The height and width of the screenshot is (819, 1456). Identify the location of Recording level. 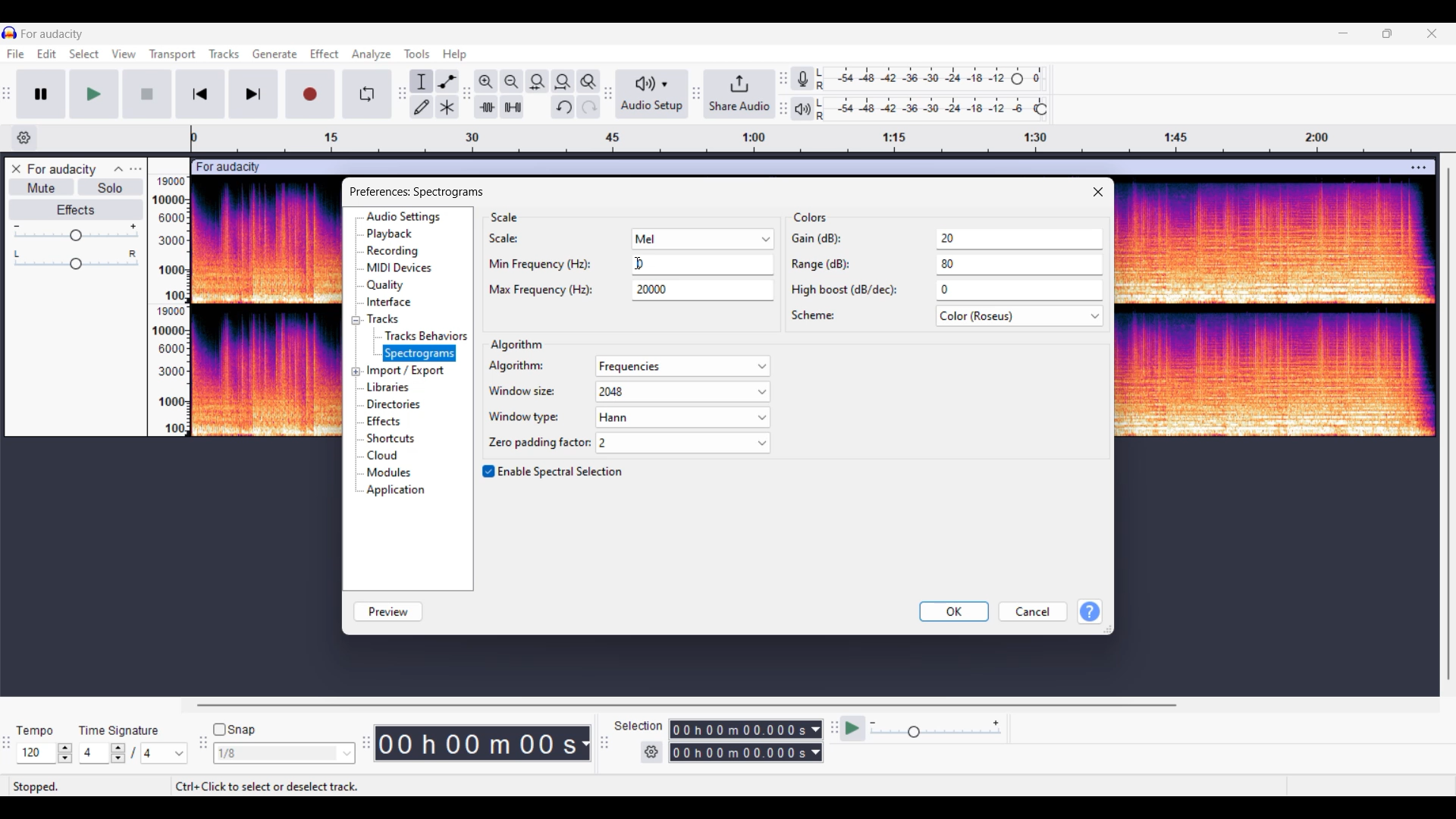
(930, 79).